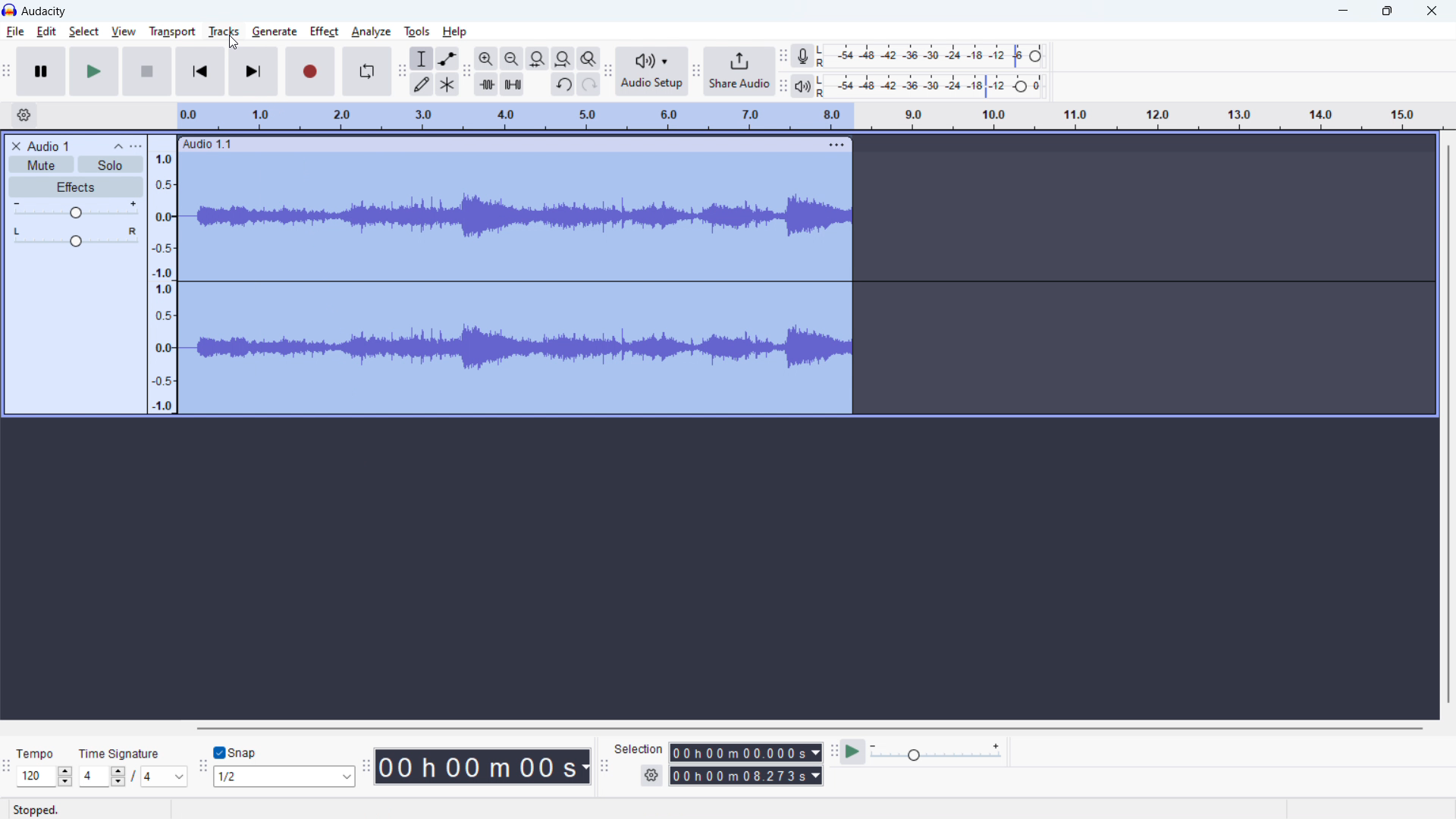 This screenshot has width=1456, height=819. Describe the element at coordinates (803, 55) in the screenshot. I see `recording meter ` at that location.